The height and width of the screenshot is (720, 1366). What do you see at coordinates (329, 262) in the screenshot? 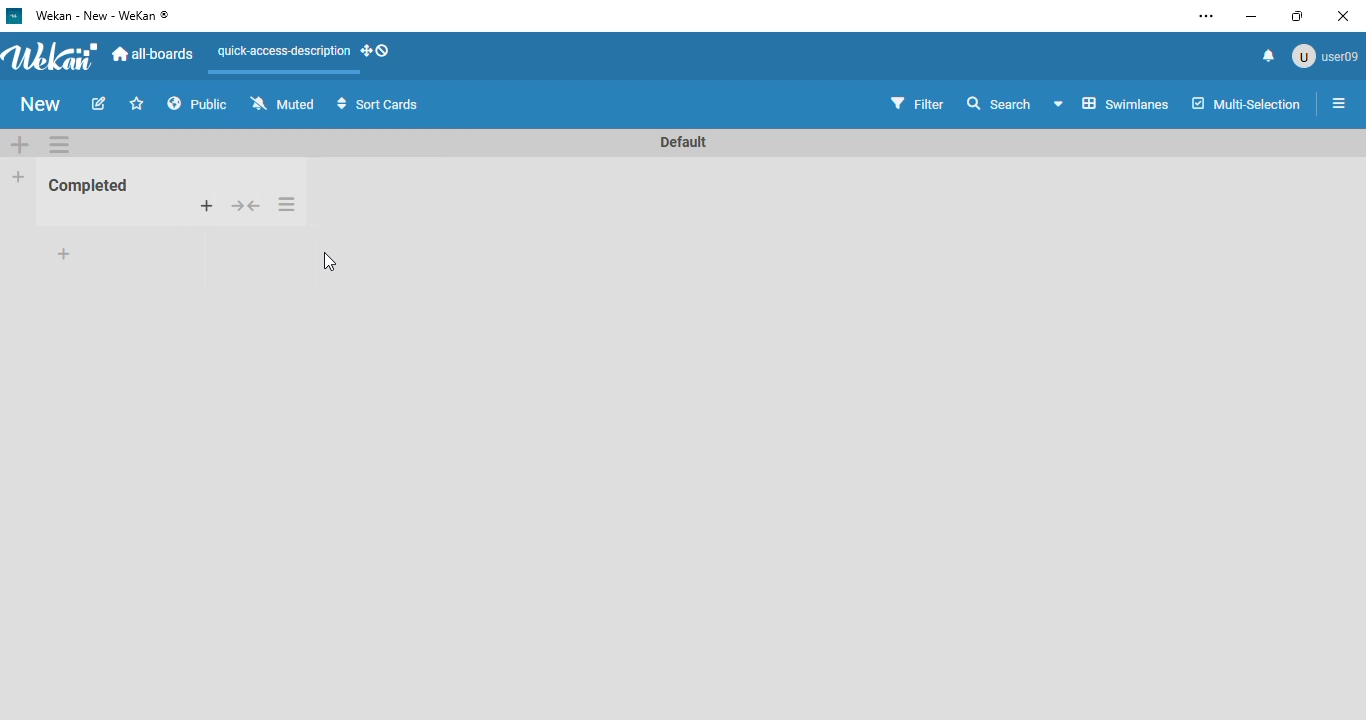
I see `cursor` at bounding box center [329, 262].